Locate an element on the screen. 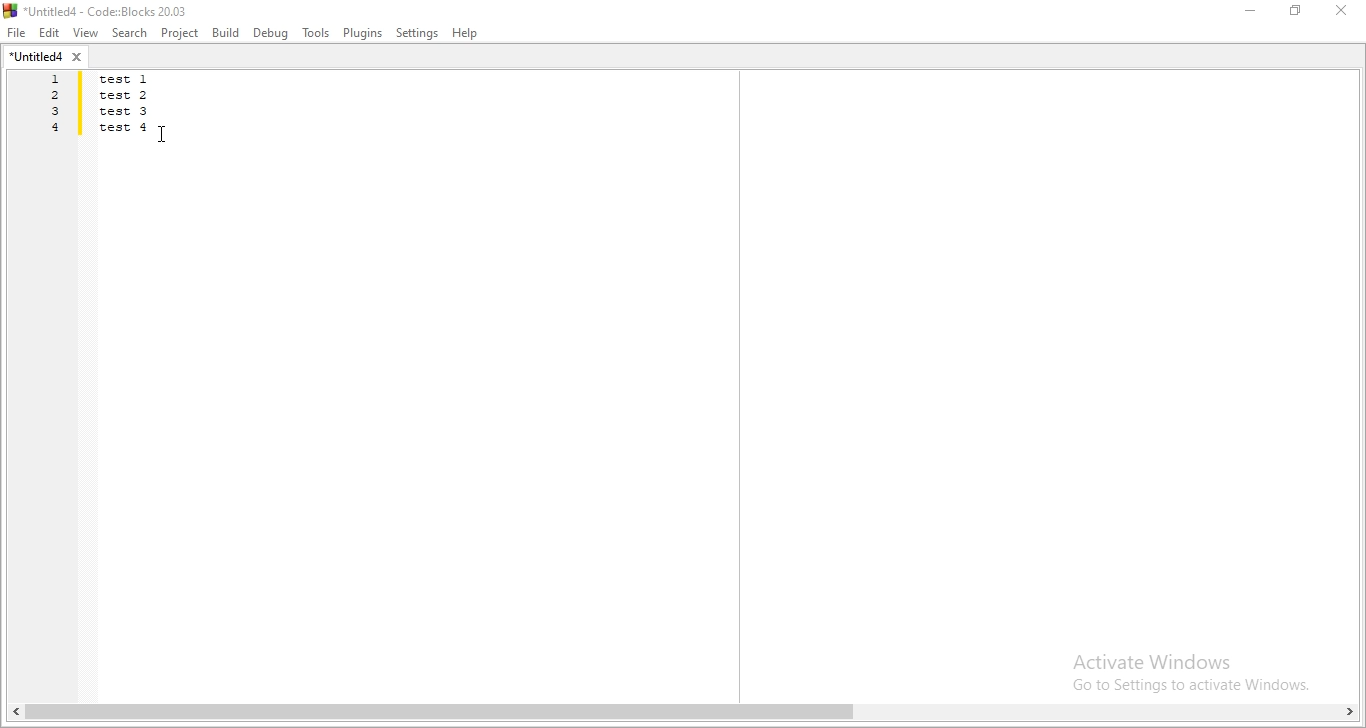 The height and width of the screenshot is (728, 1366). View  is located at coordinates (83, 33).